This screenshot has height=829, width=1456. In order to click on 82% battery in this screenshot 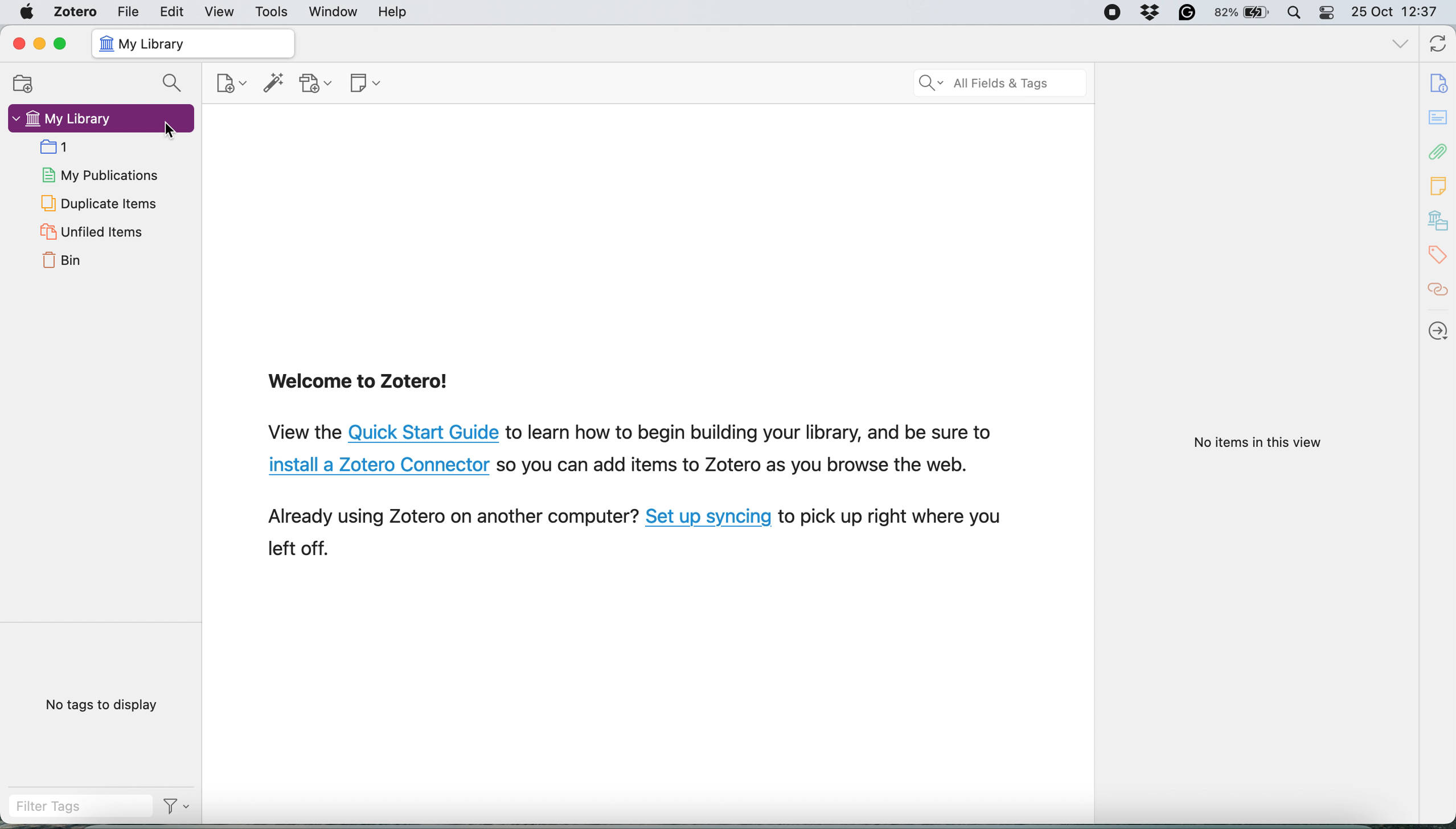, I will do `click(1242, 11)`.